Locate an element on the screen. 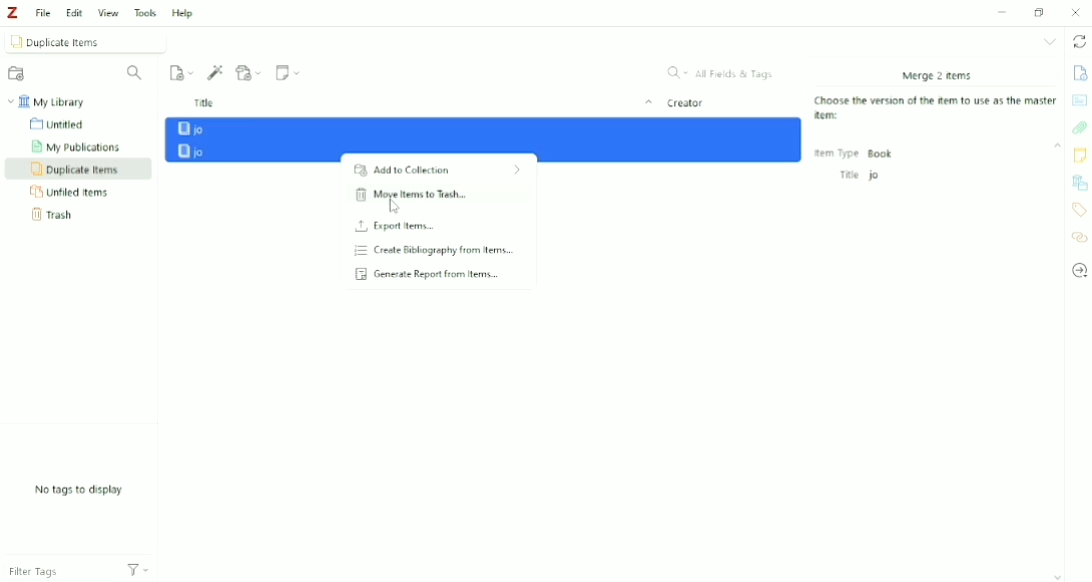 This screenshot has height=582, width=1092. Unfiled Items is located at coordinates (77, 192).